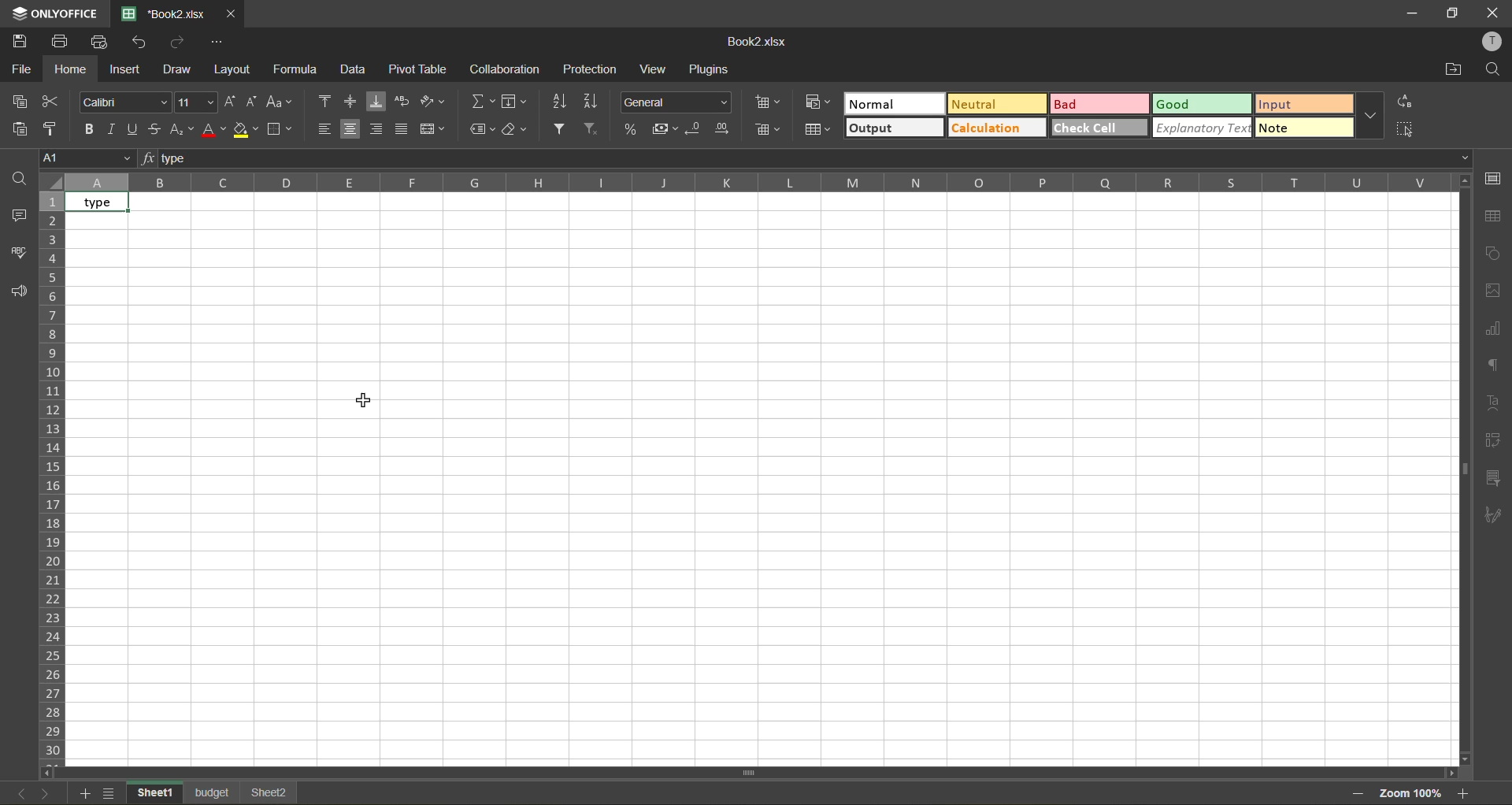  I want to click on select all, so click(1411, 129).